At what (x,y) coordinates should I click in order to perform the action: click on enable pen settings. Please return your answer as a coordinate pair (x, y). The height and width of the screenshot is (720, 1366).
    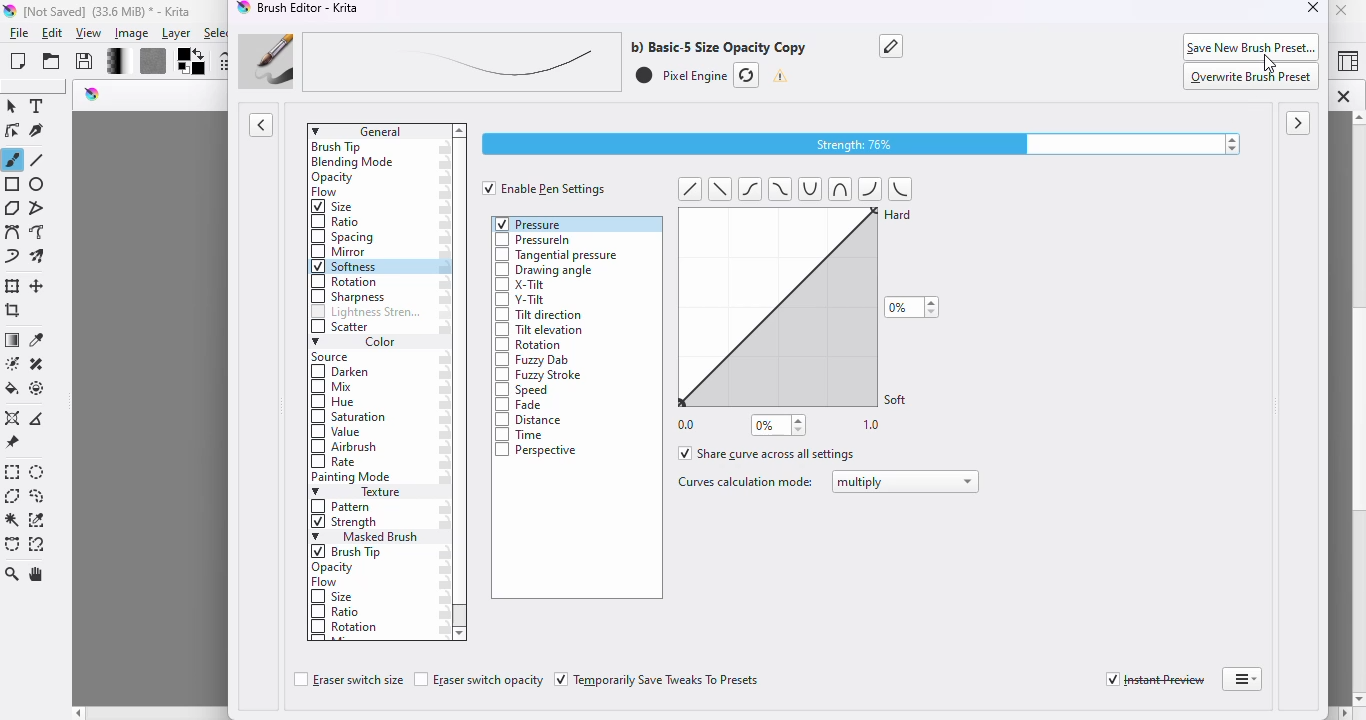
    Looking at the image, I should click on (545, 188).